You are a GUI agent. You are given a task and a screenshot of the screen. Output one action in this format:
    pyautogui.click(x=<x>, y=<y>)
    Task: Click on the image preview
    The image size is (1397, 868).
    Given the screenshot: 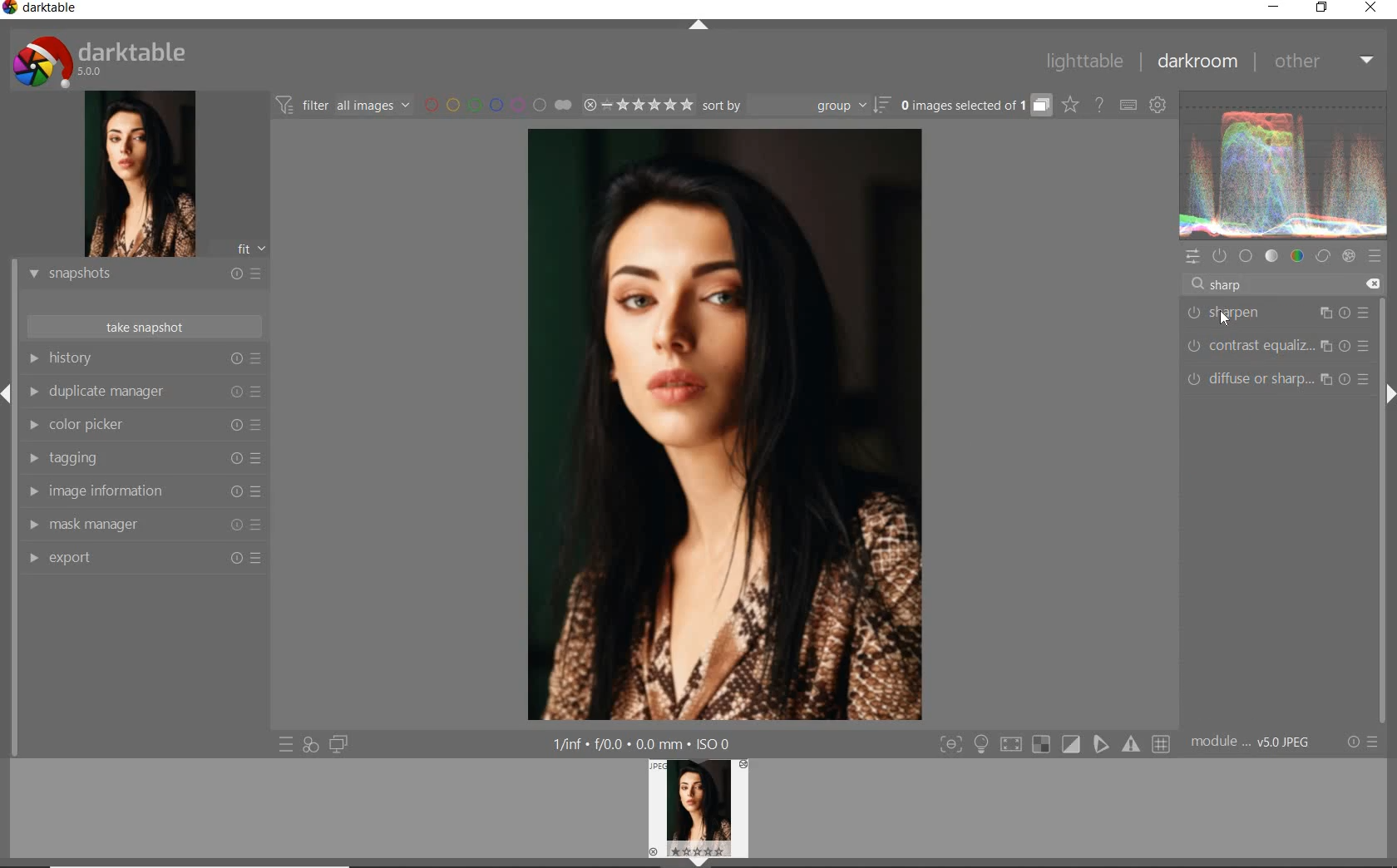 What is the action you would take?
    pyautogui.click(x=141, y=174)
    